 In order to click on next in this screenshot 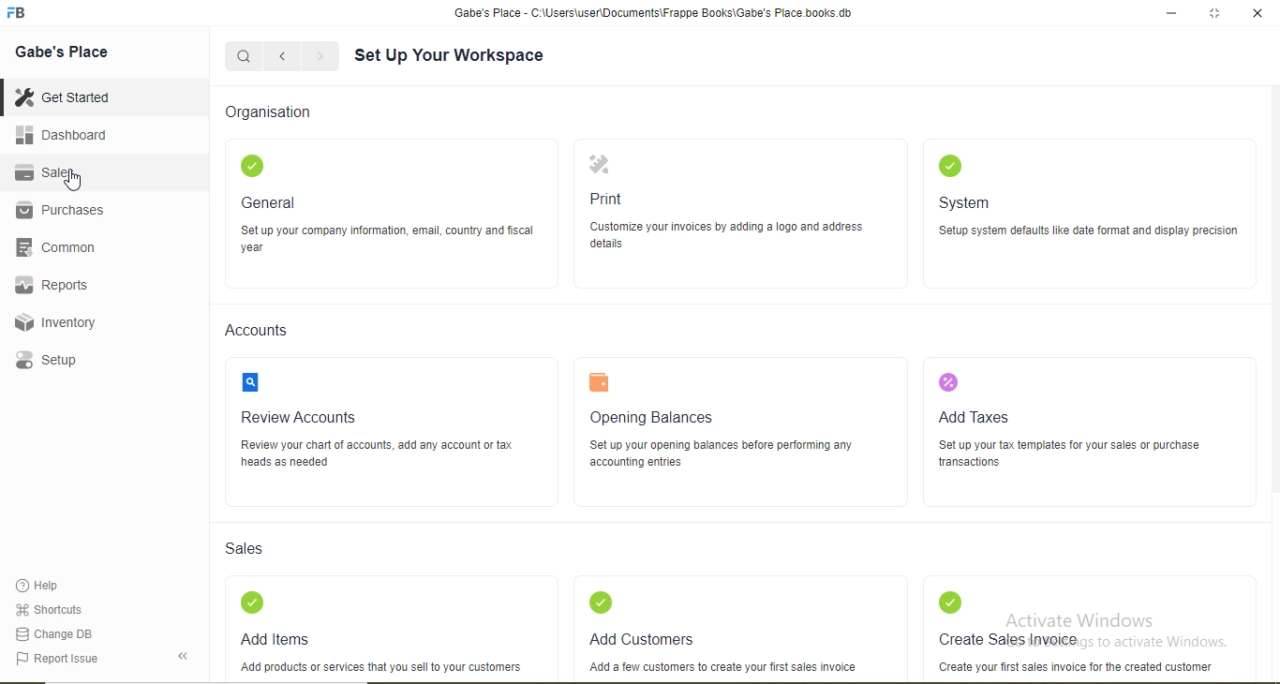, I will do `click(320, 57)`.